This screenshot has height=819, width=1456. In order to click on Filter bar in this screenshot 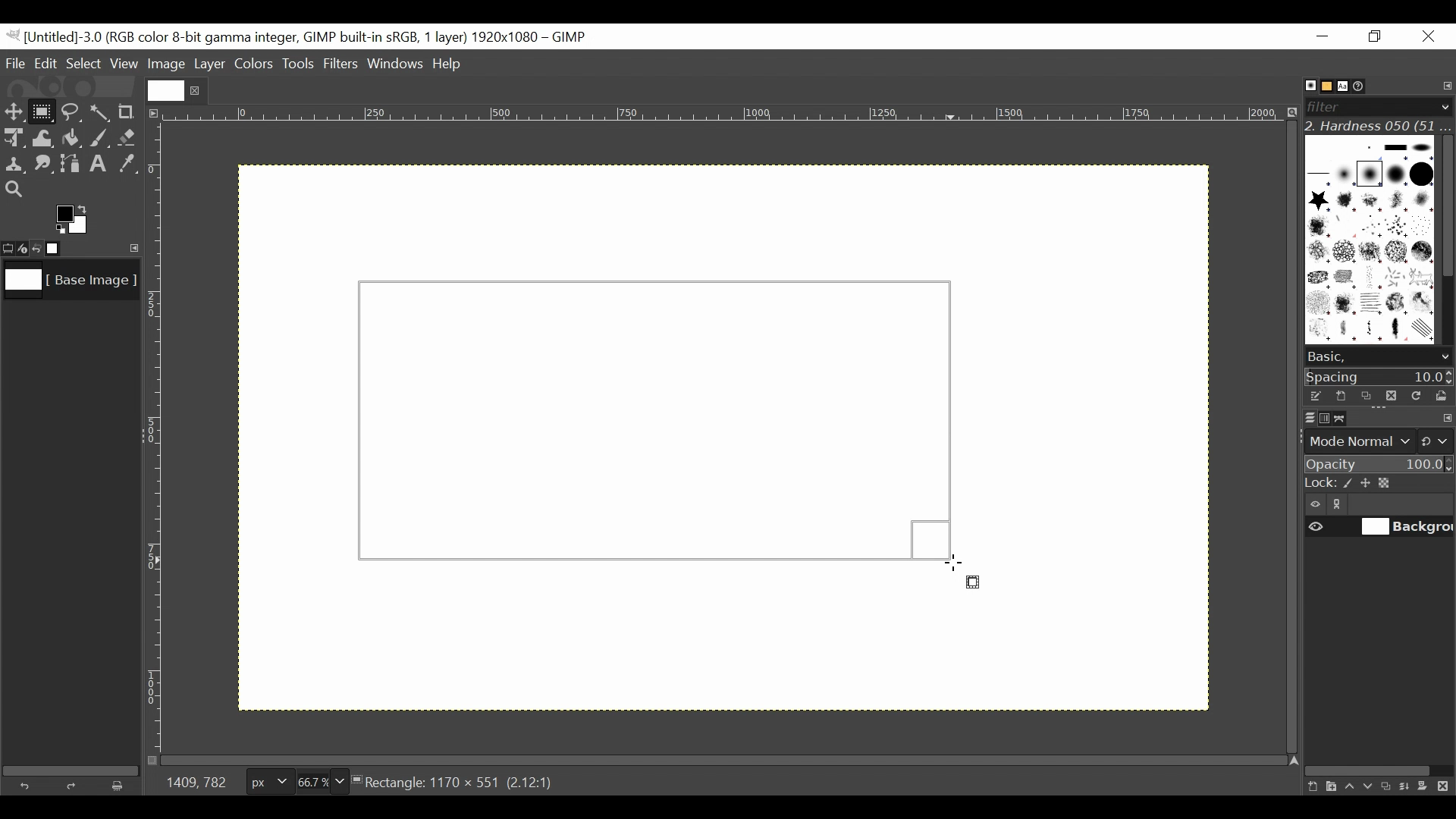, I will do `click(1377, 105)`.